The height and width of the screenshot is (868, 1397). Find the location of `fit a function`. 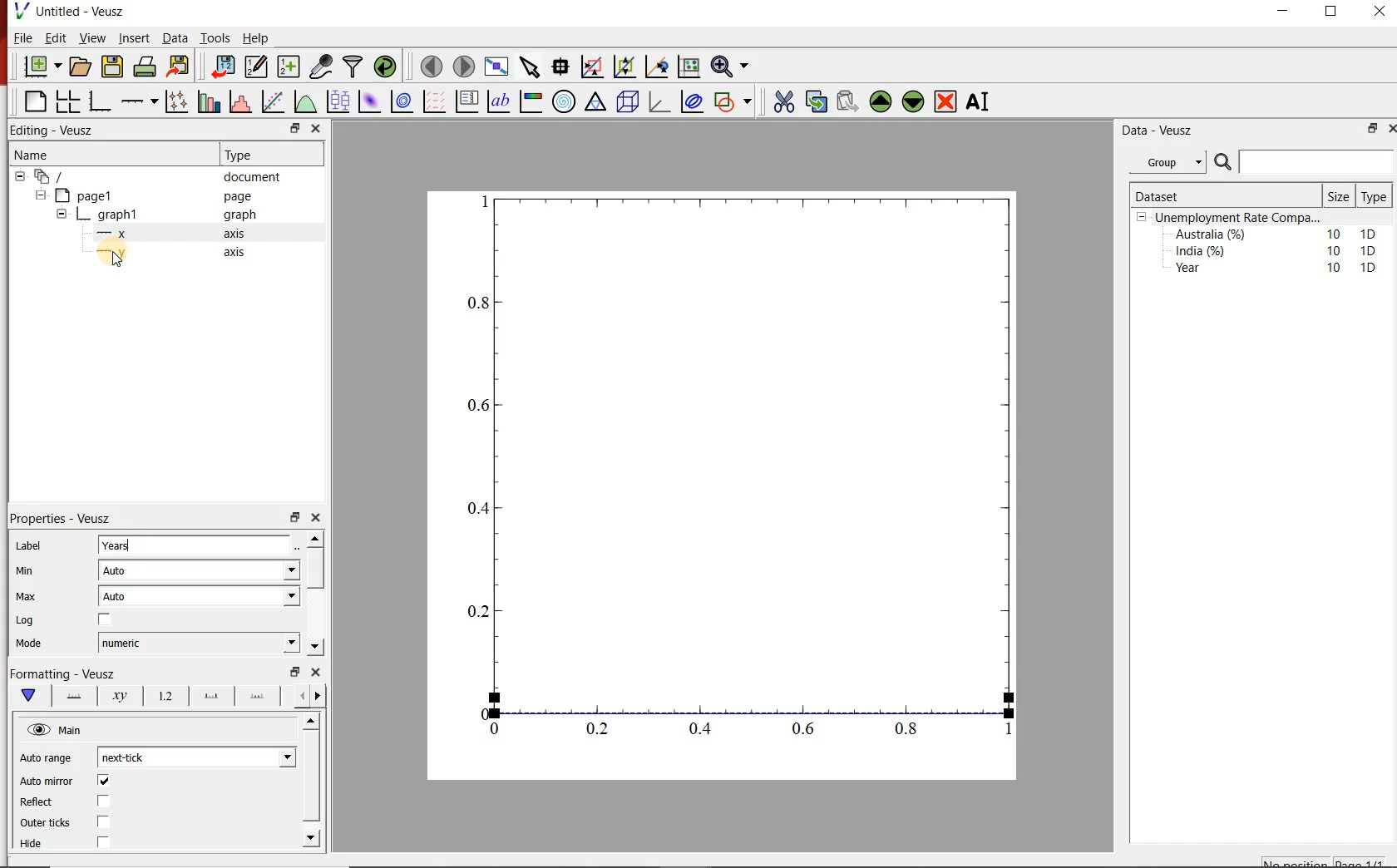

fit a function is located at coordinates (272, 101).